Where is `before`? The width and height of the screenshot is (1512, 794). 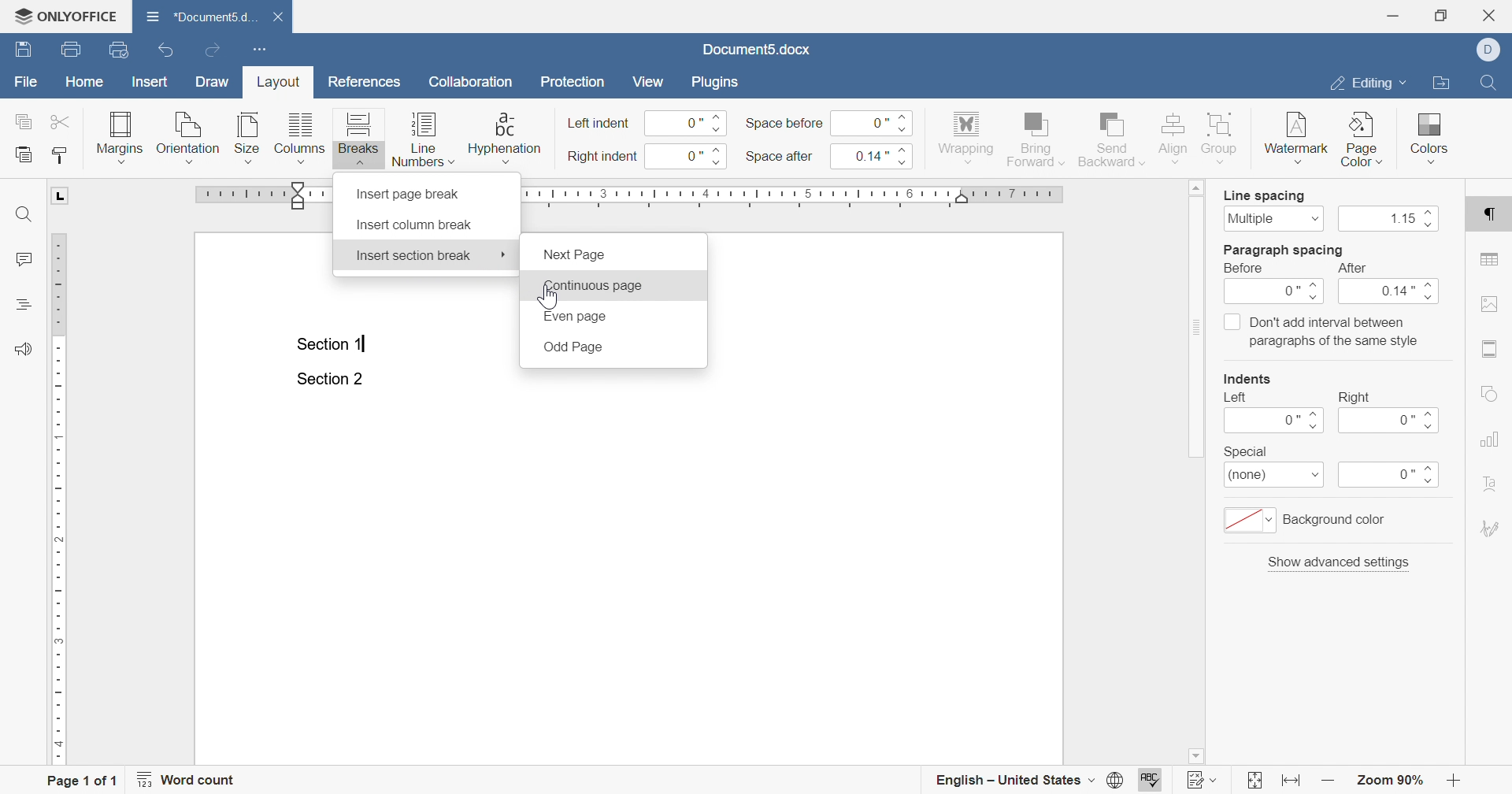
before is located at coordinates (1247, 269).